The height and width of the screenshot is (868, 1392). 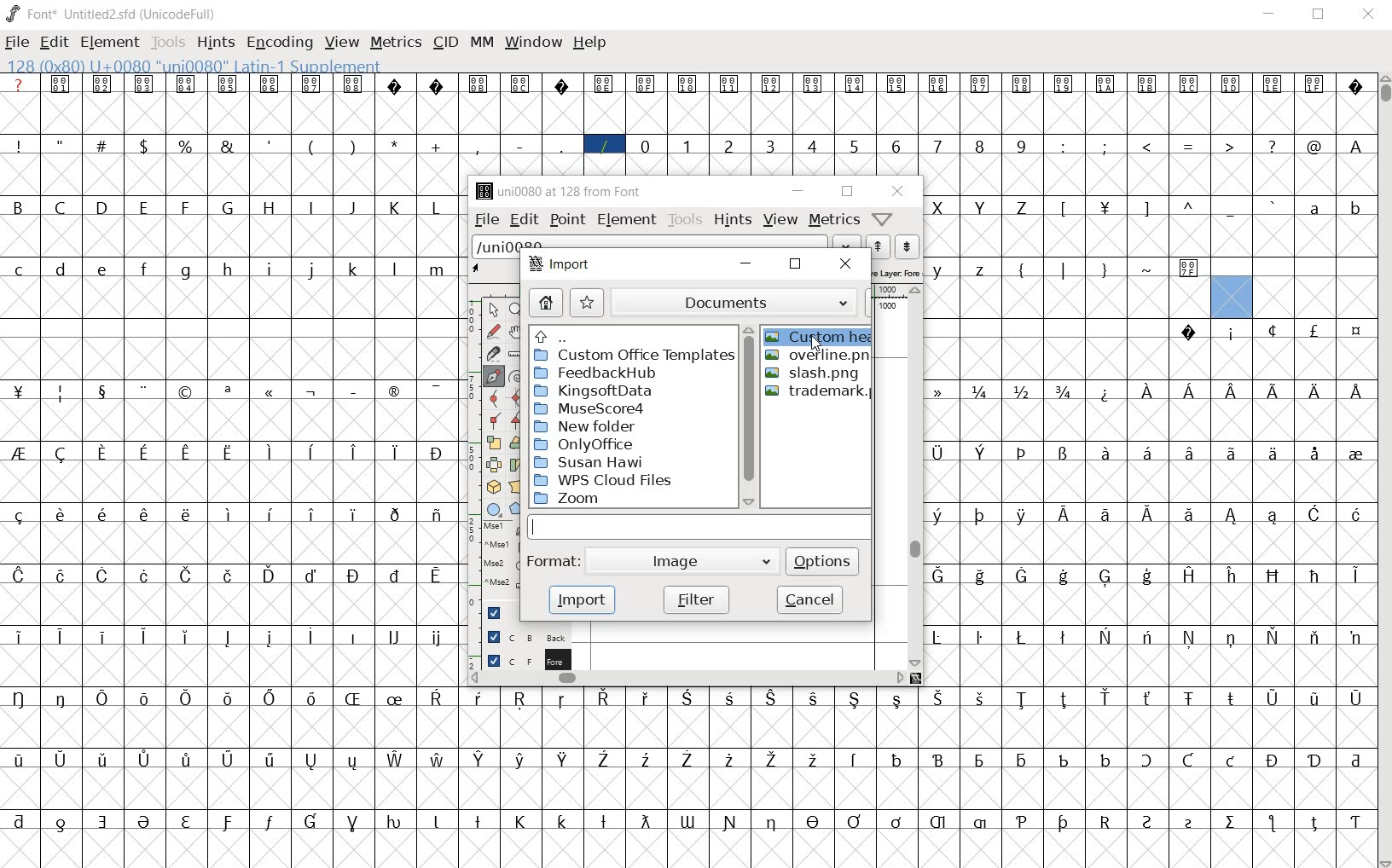 What do you see at coordinates (352, 698) in the screenshot?
I see `glyph` at bounding box center [352, 698].